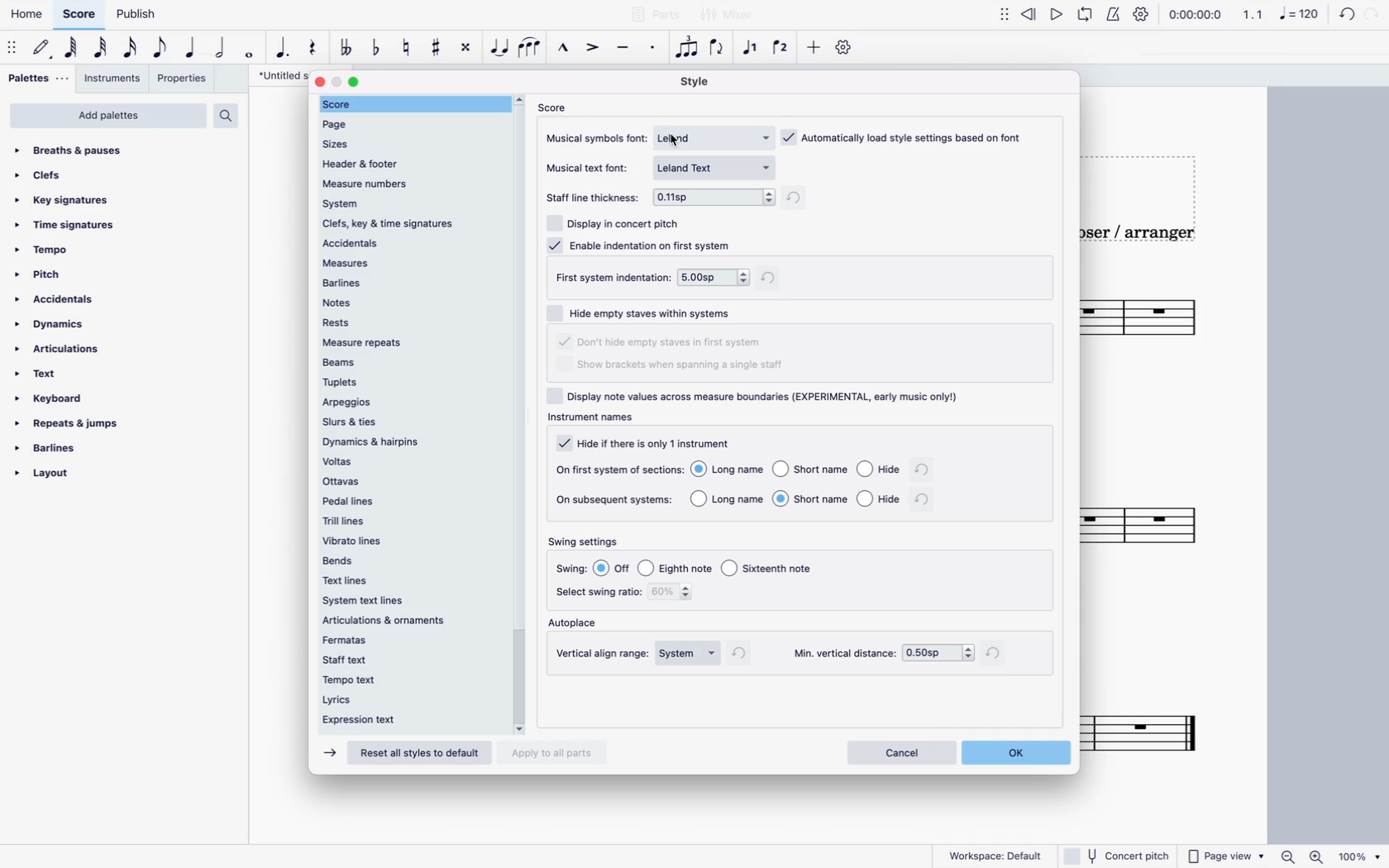 This screenshot has width=1389, height=868. Describe the element at coordinates (107, 117) in the screenshot. I see `add palettes` at that location.